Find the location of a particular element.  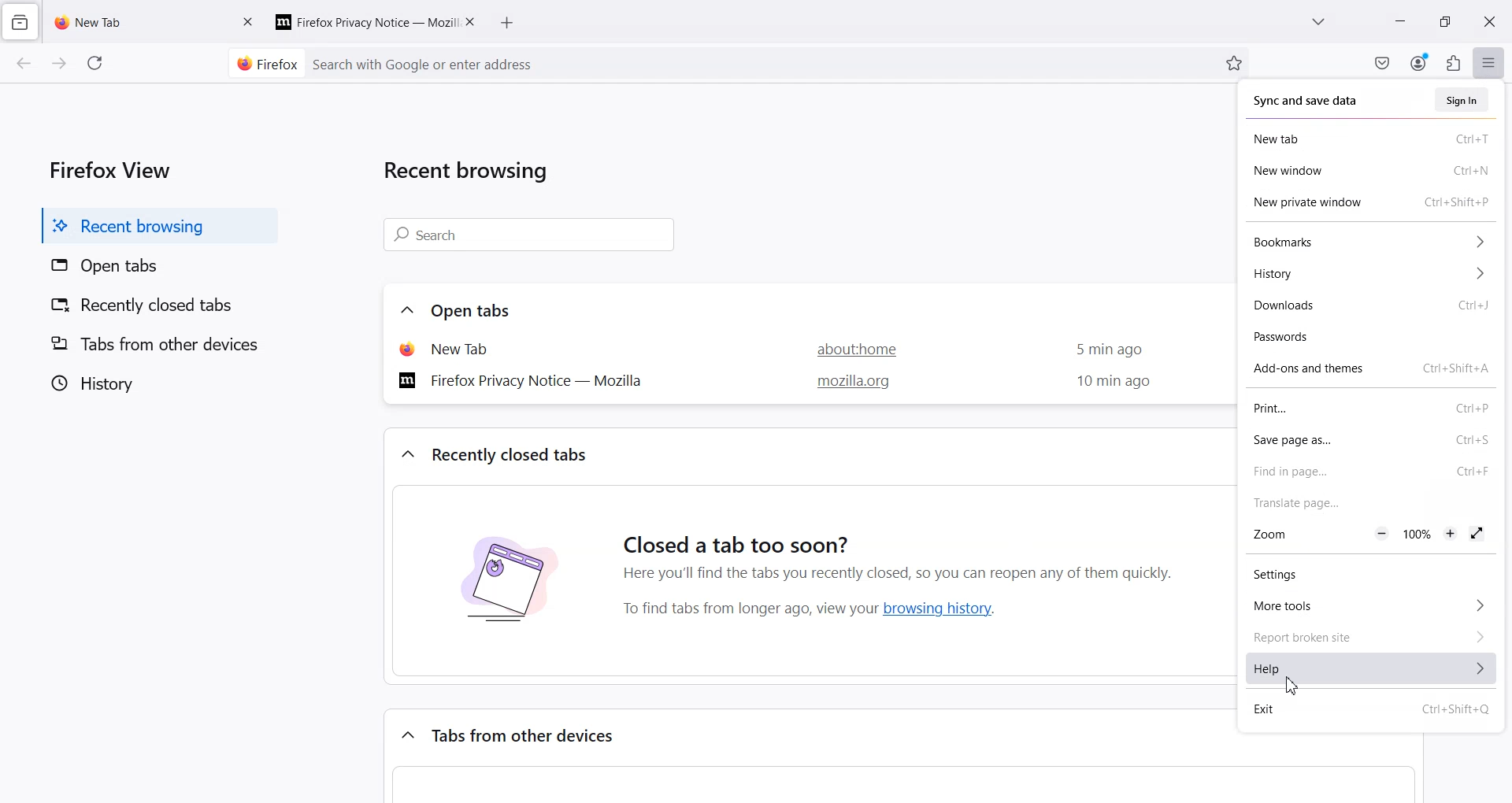

Forward is located at coordinates (58, 65).